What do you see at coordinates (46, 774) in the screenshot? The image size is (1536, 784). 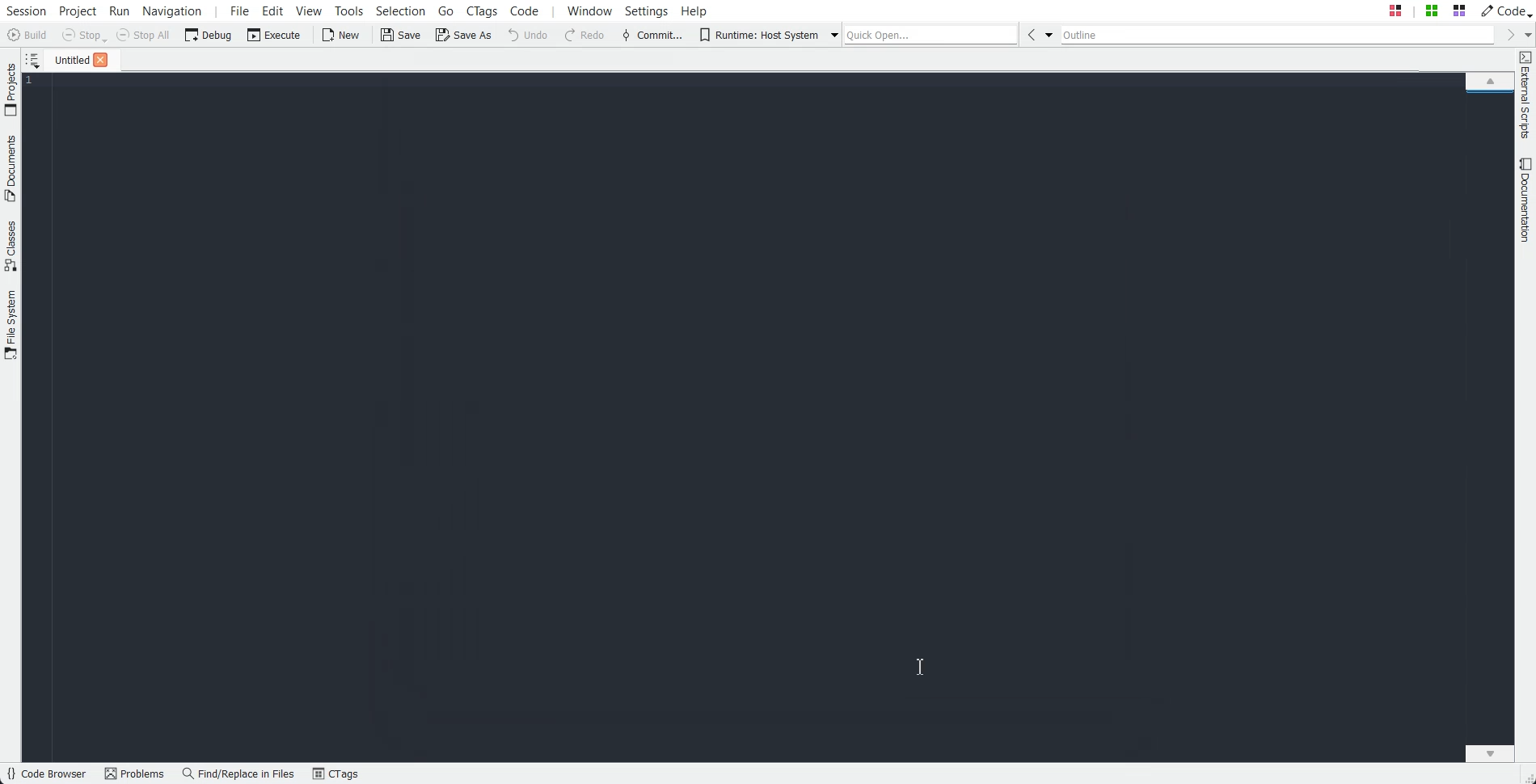 I see `Code Browser` at bounding box center [46, 774].